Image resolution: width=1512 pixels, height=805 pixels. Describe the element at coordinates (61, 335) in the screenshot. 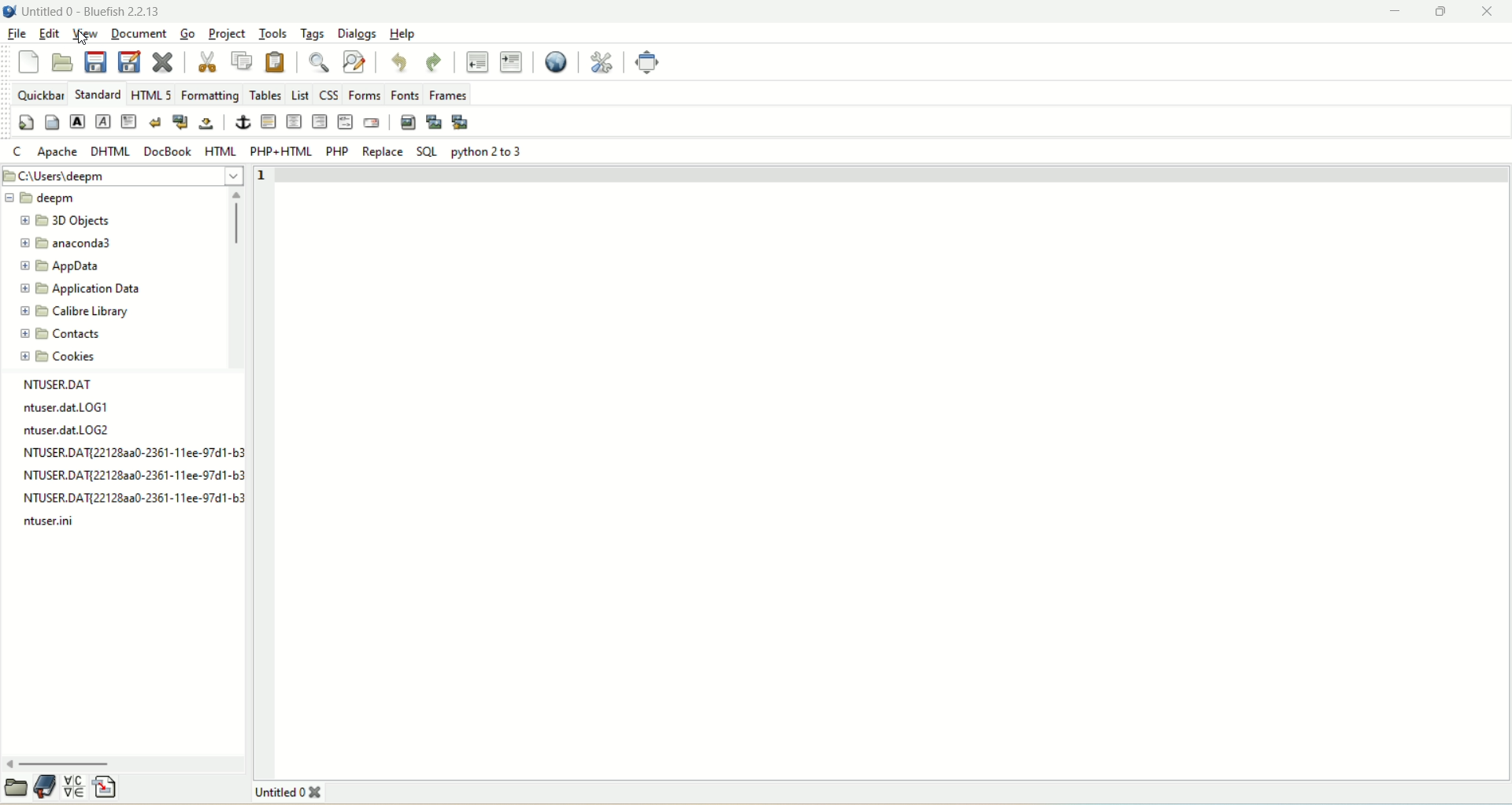

I see `contacts` at that location.